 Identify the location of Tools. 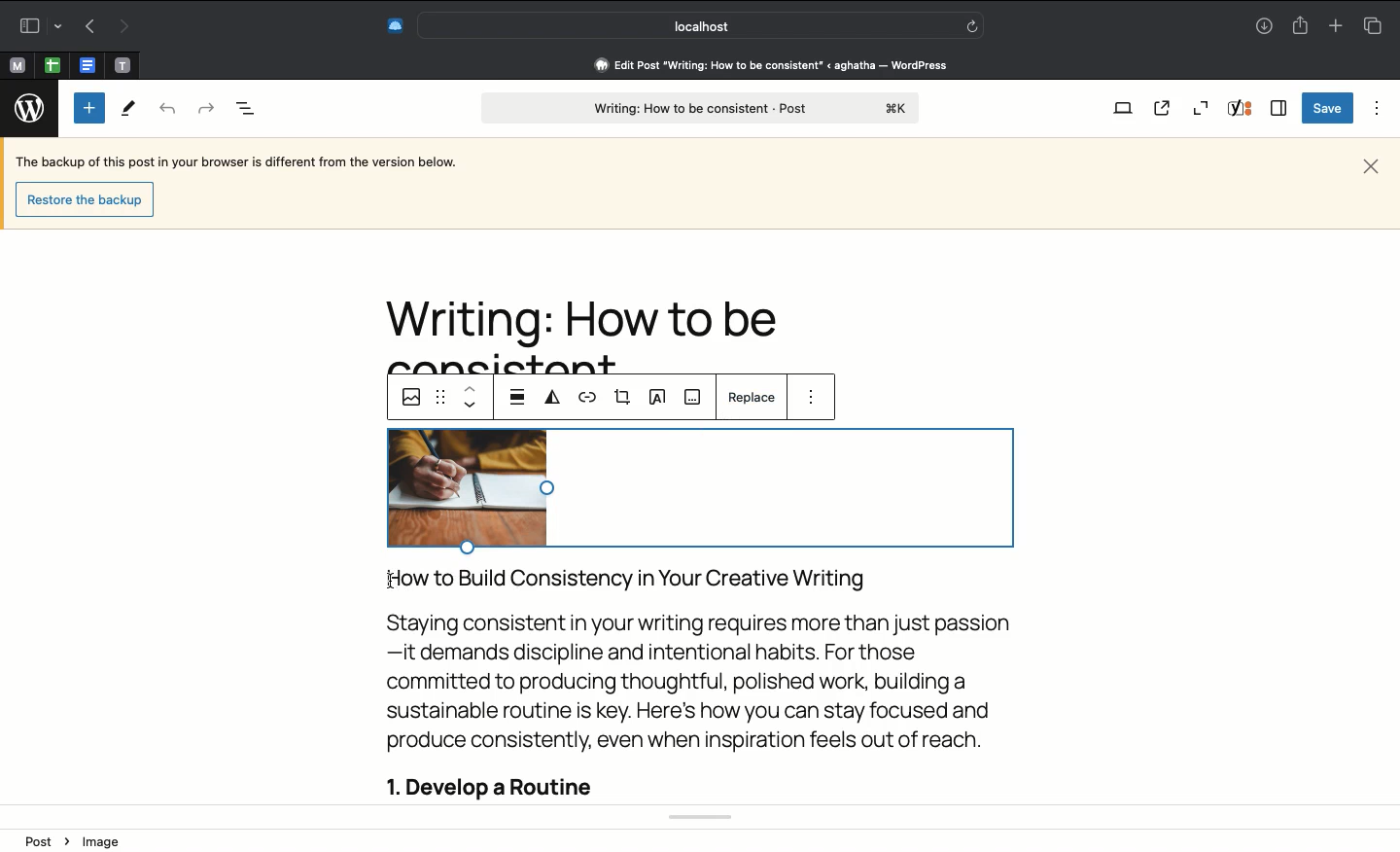
(130, 108).